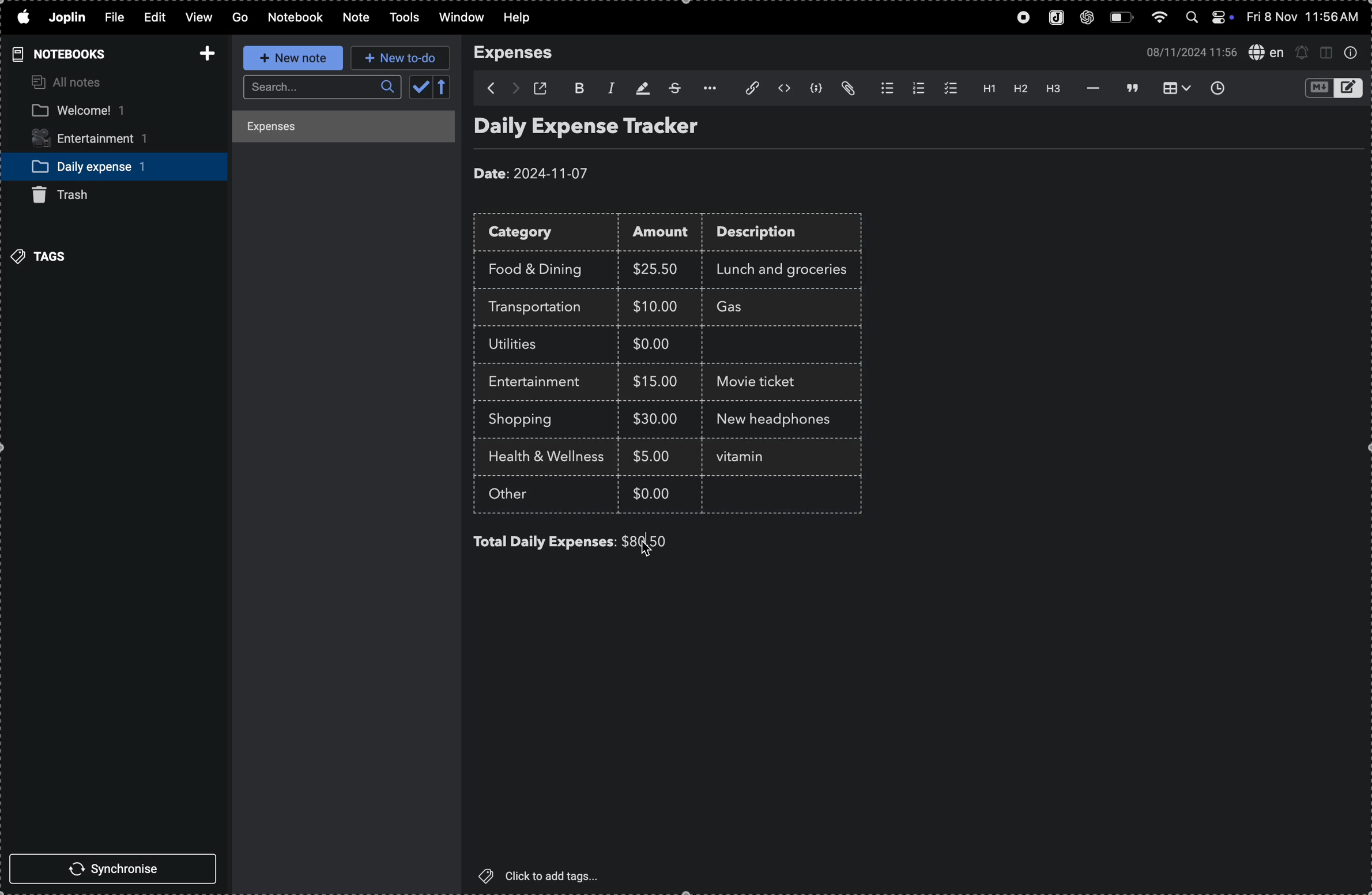 This screenshot has height=895, width=1372. Describe the element at coordinates (460, 18) in the screenshot. I see `window` at that location.